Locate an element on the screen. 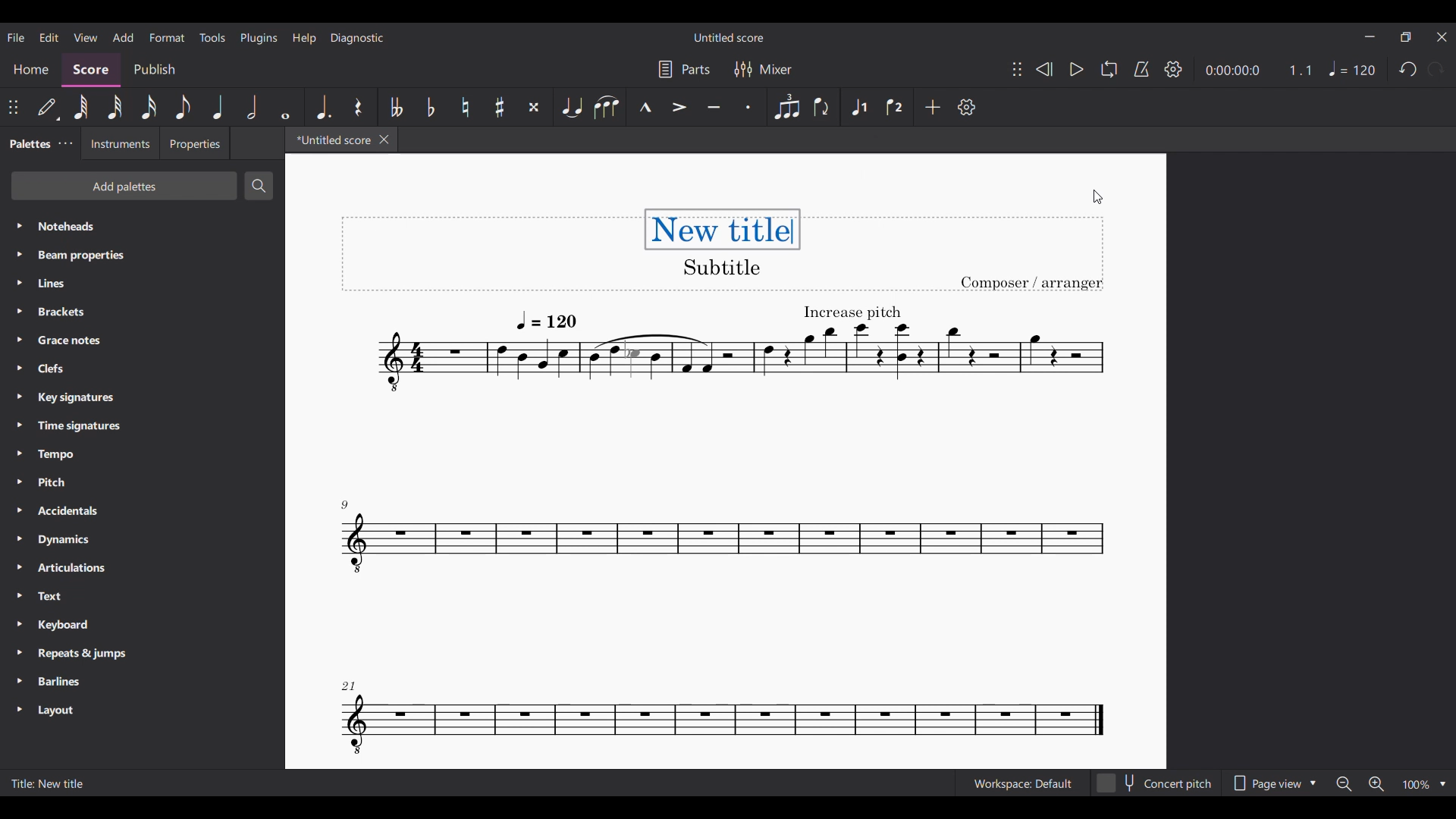  Close interface is located at coordinates (1443, 37).